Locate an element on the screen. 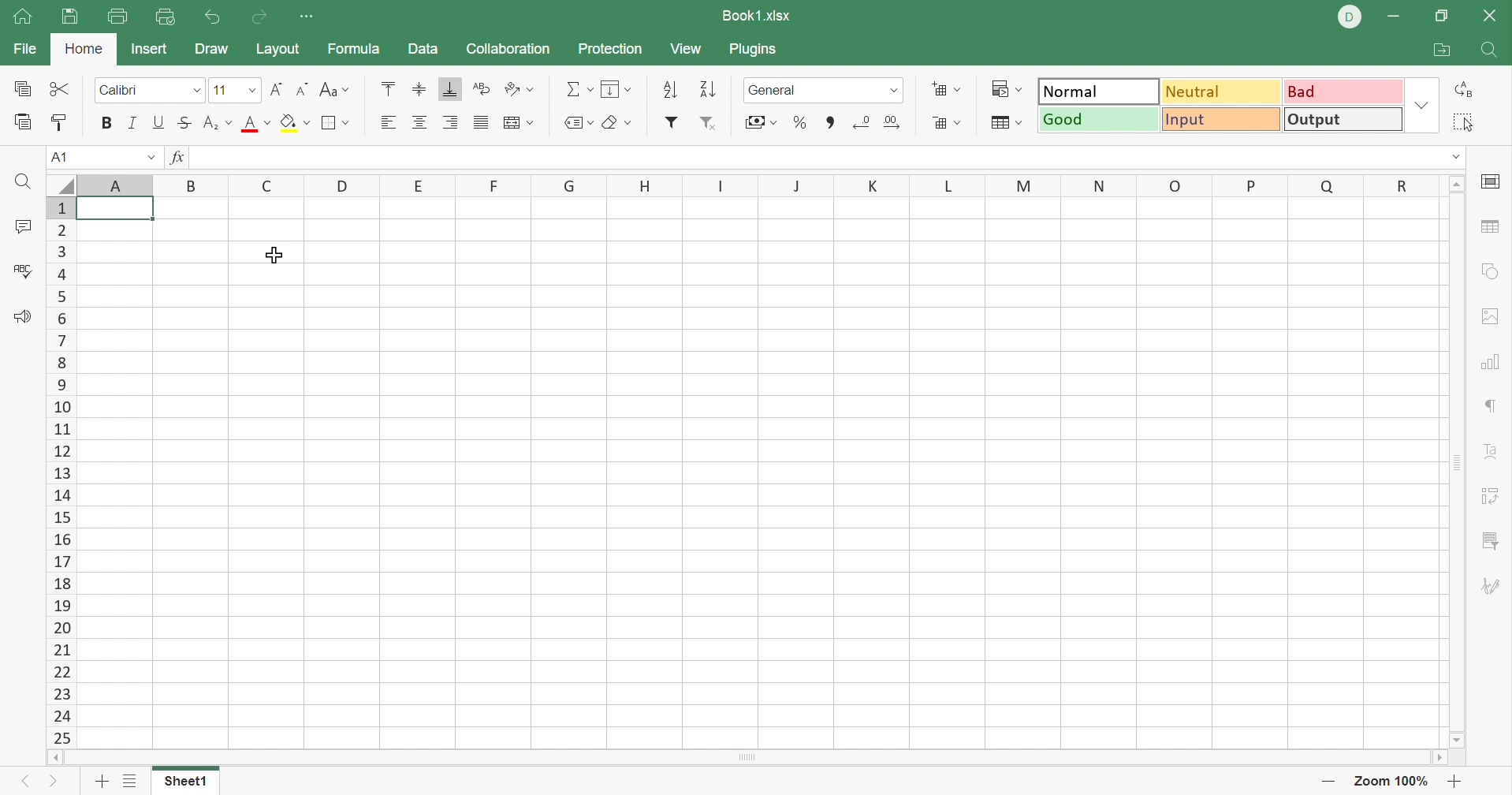  Signature settings is located at coordinates (1494, 587).